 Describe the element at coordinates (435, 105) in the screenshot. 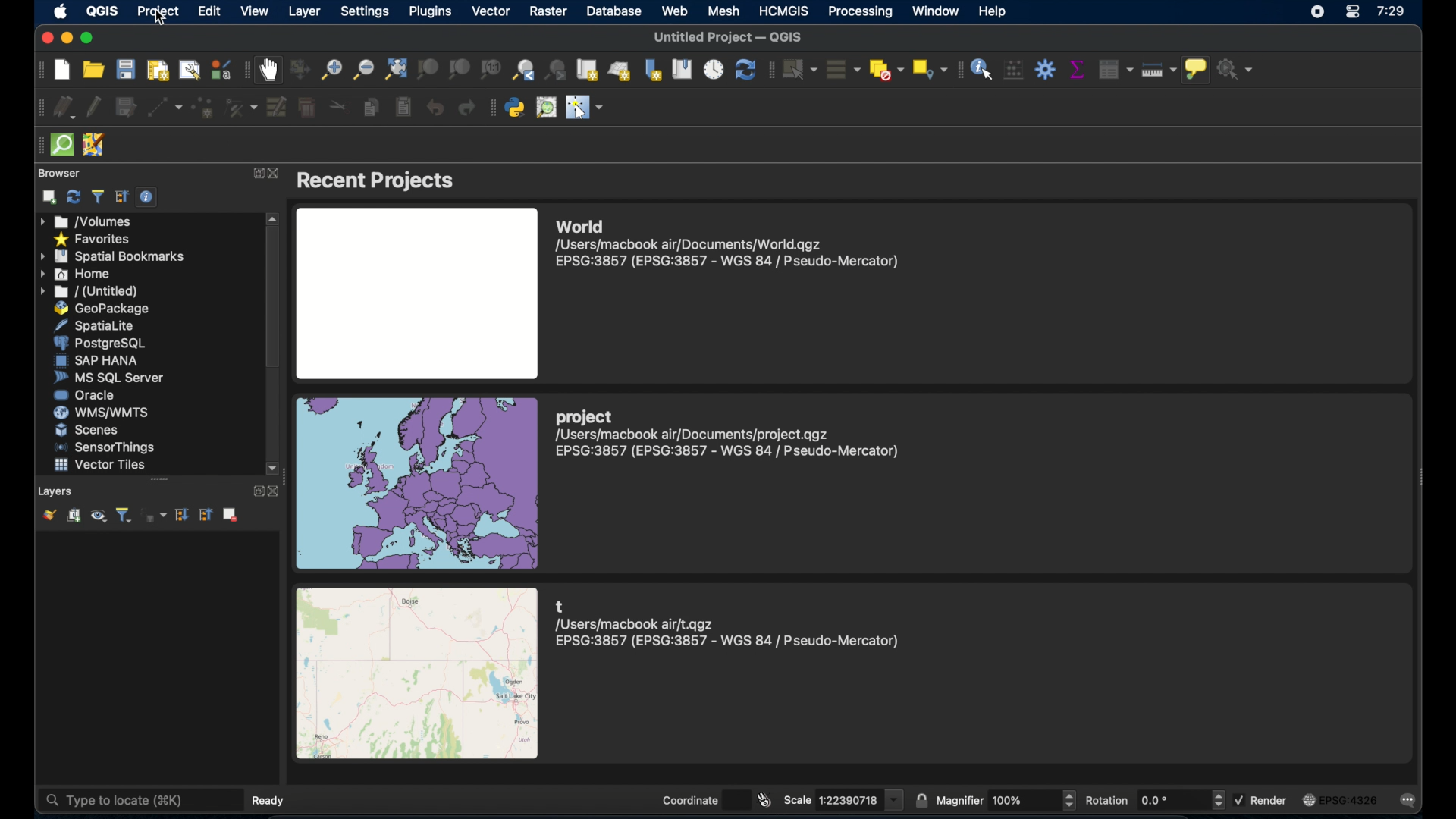

I see `undo` at that location.